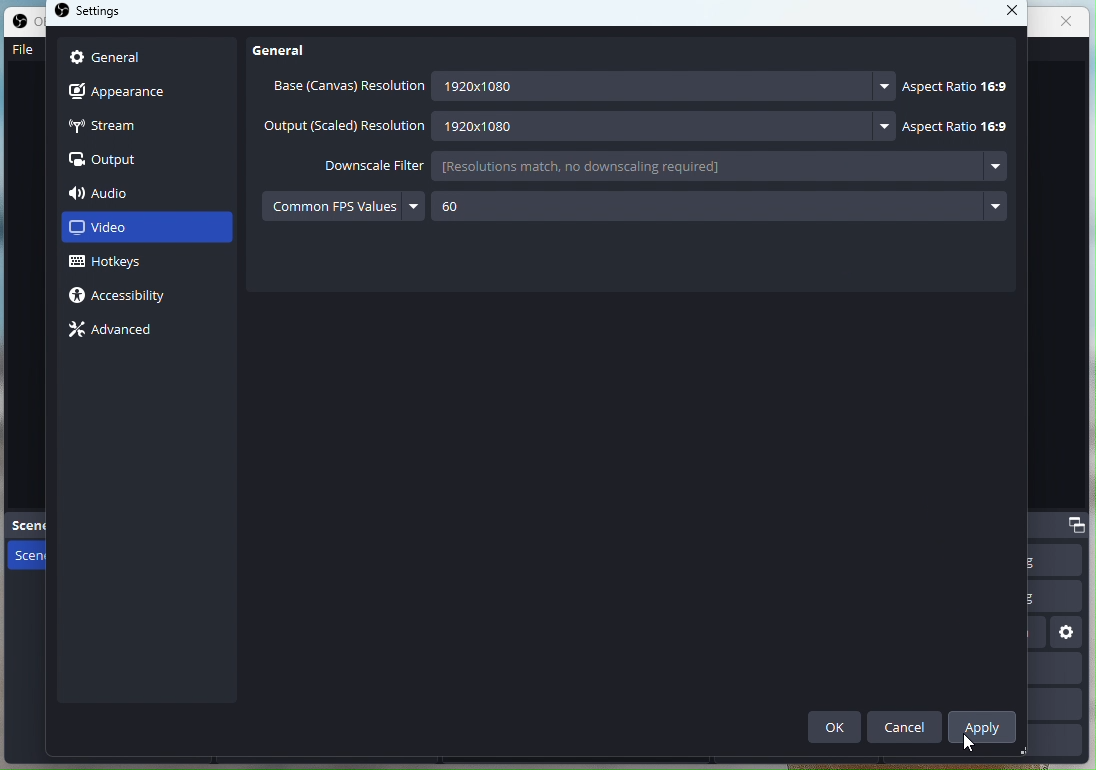 This screenshot has width=1096, height=770. What do you see at coordinates (888, 126) in the screenshot?
I see `more options` at bounding box center [888, 126].